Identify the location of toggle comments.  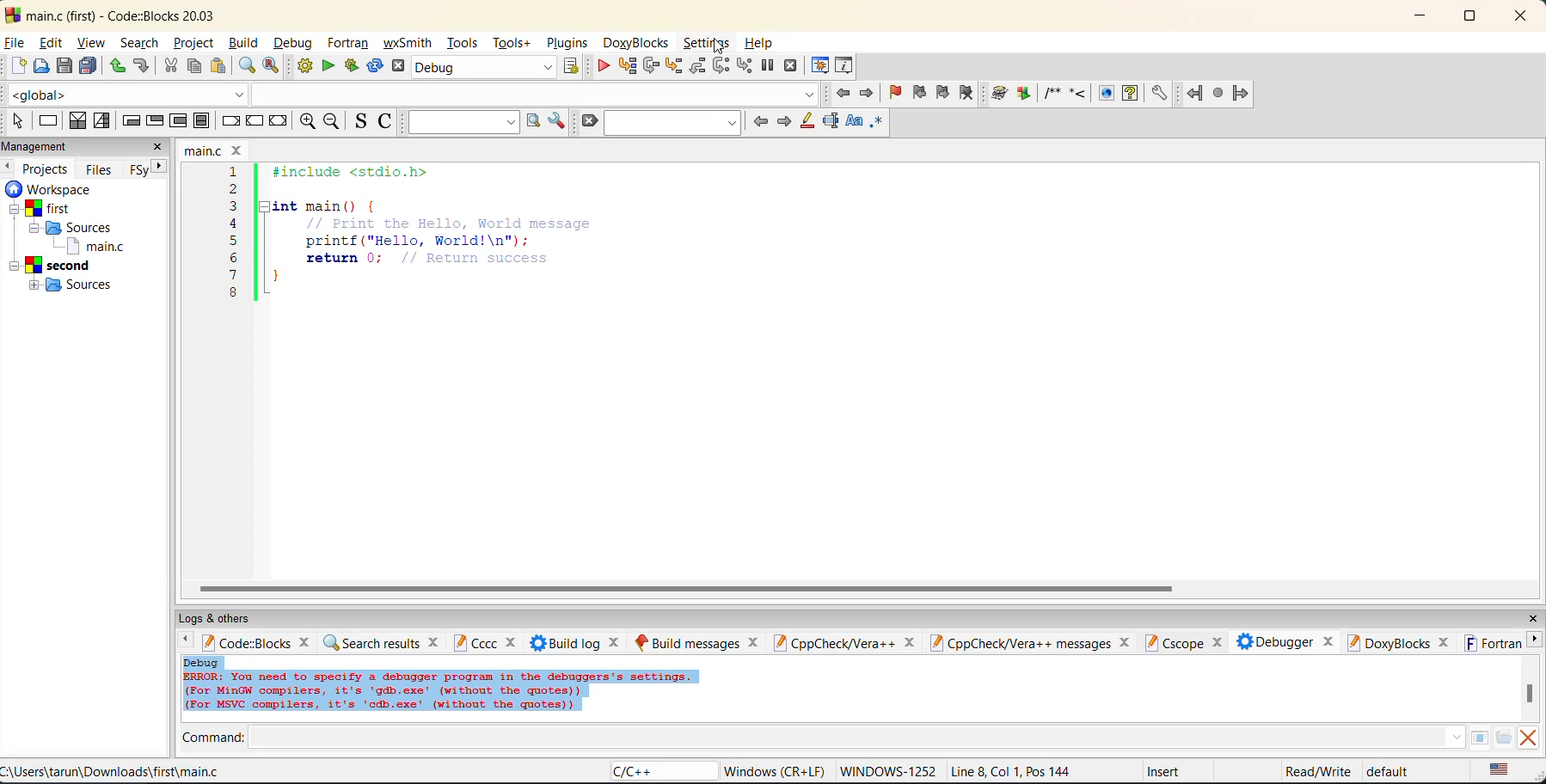
(387, 124).